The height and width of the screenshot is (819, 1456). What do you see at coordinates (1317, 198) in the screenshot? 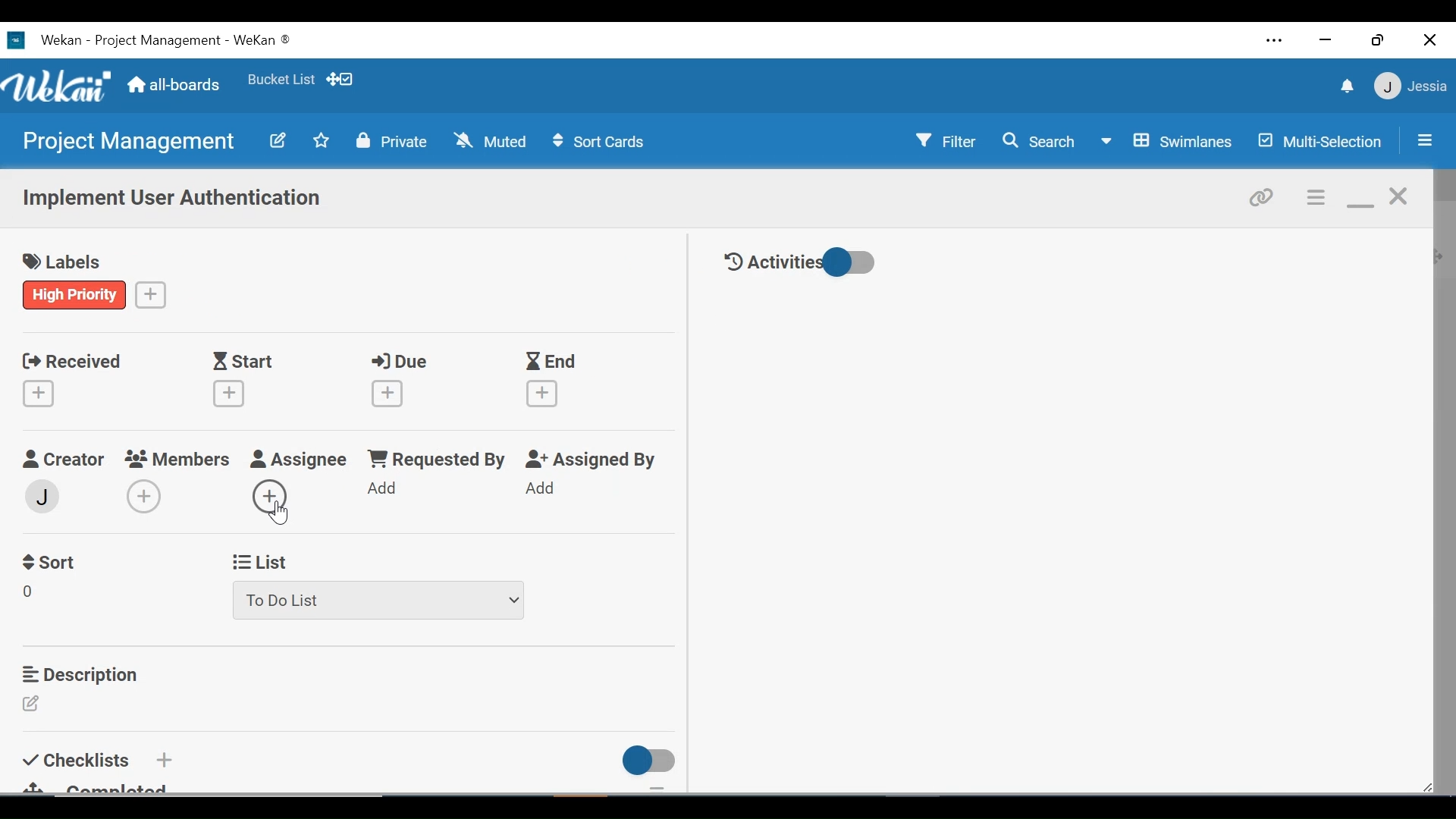
I see `Card actions` at bounding box center [1317, 198].